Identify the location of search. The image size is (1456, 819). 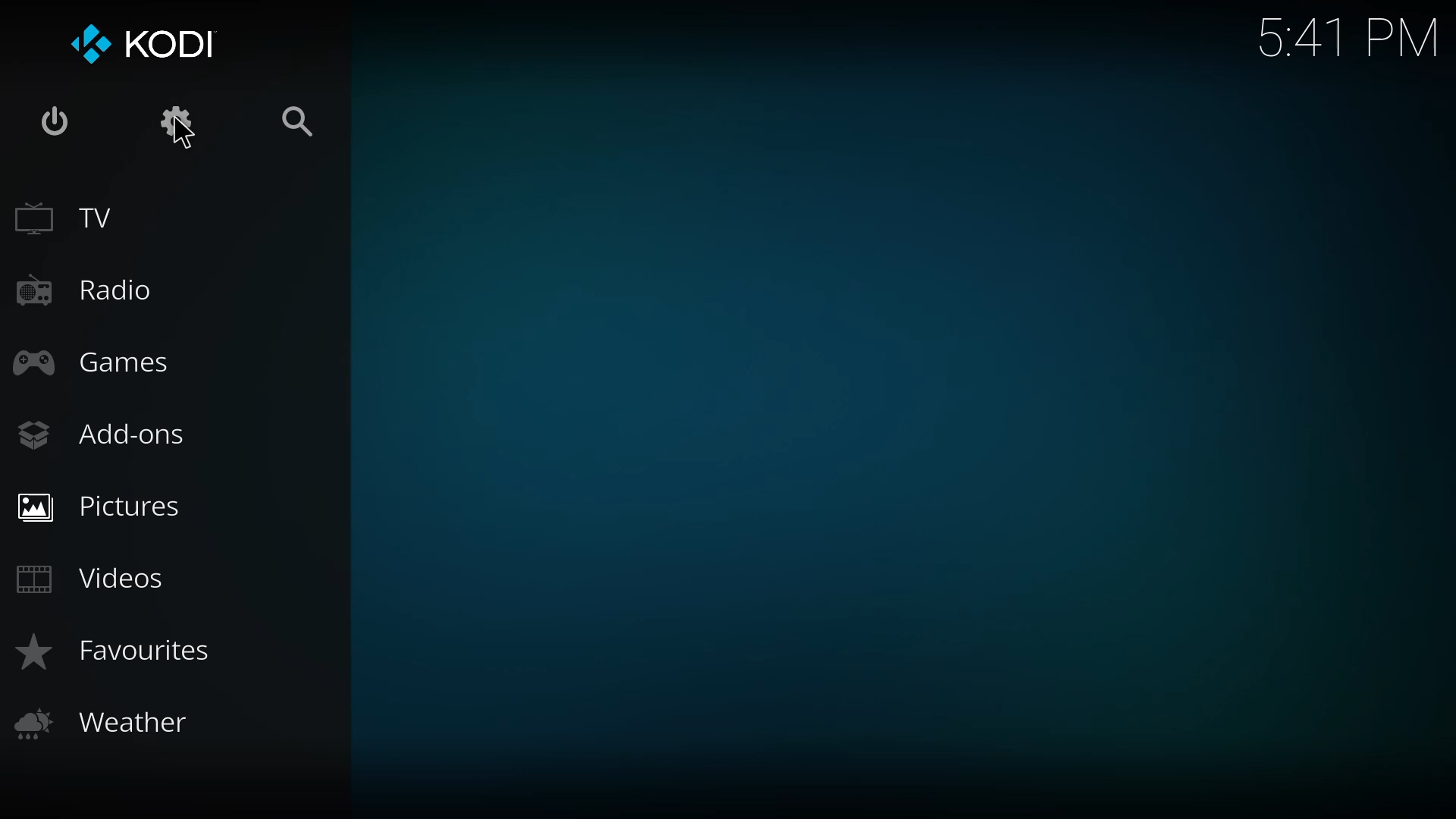
(302, 124).